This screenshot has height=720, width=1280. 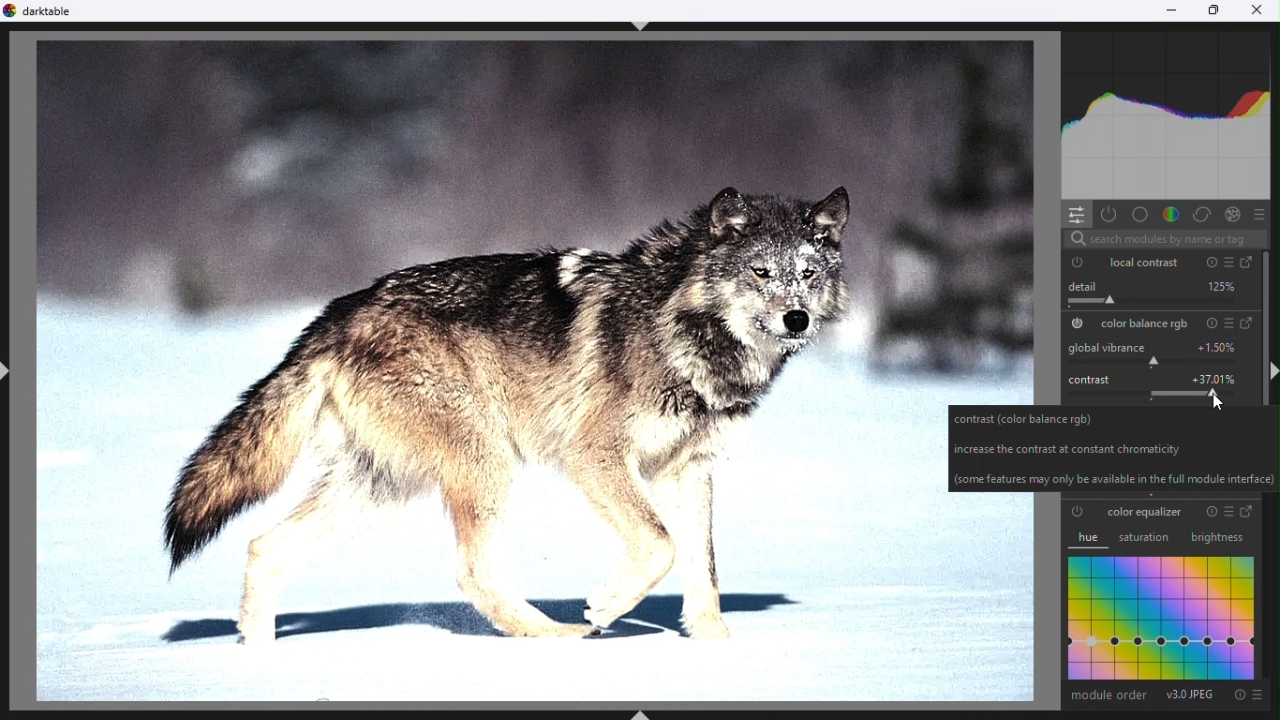 What do you see at coordinates (1203, 212) in the screenshot?
I see `correct` at bounding box center [1203, 212].